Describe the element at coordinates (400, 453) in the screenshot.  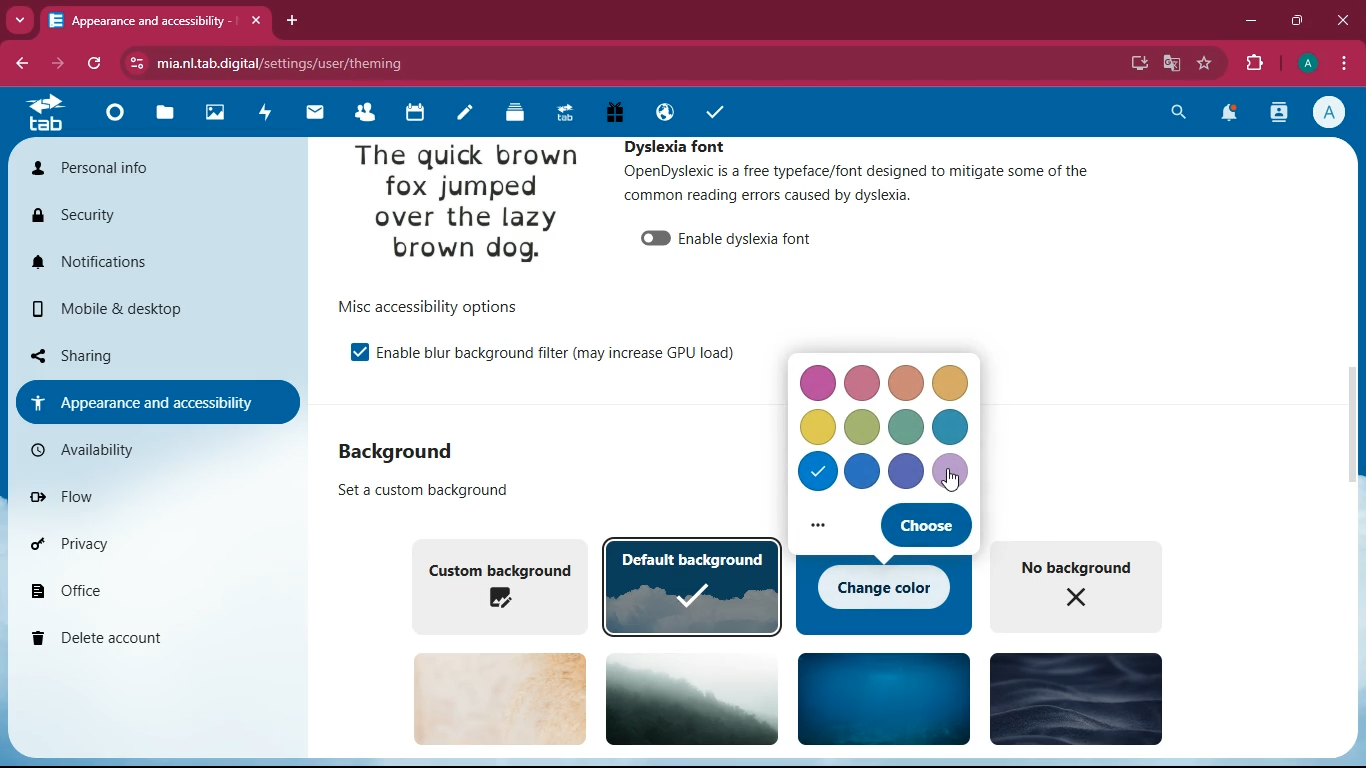
I see `background` at that location.